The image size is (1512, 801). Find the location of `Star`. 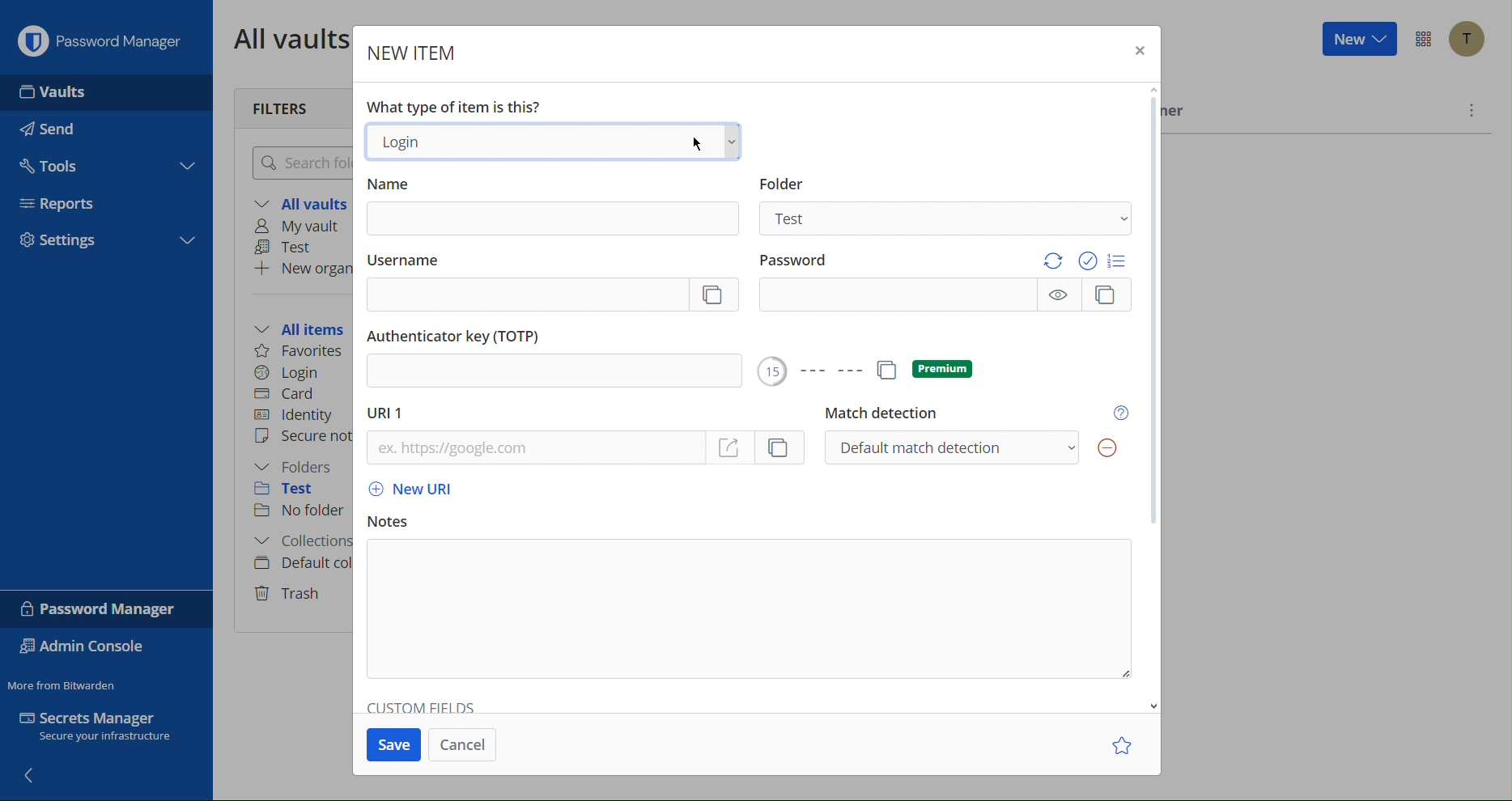

Star is located at coordinates (1123, 744).